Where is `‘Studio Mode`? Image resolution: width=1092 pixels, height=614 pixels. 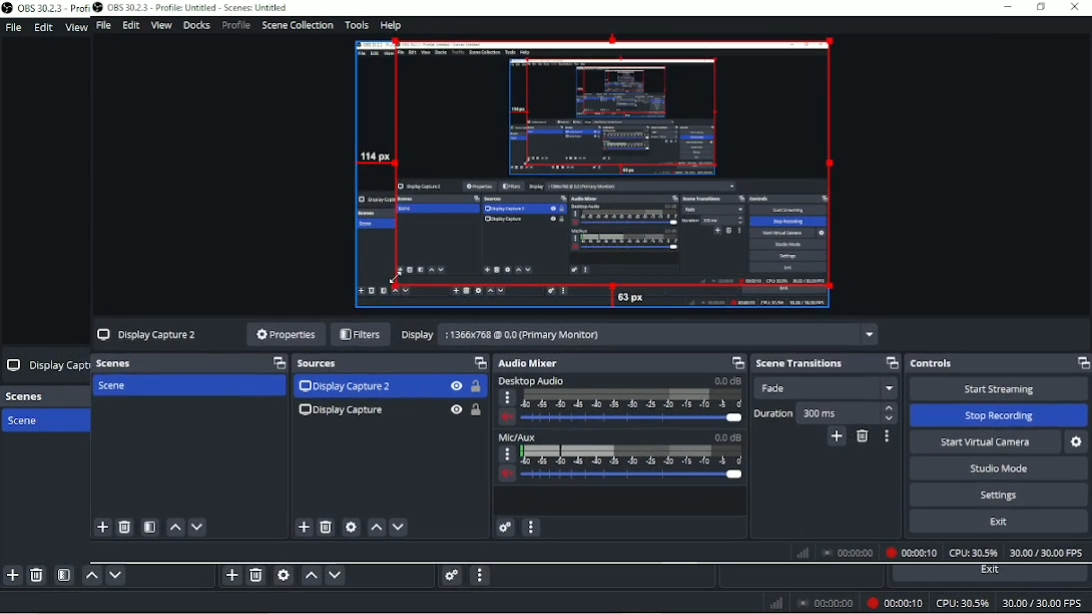 ‘Studio Mode is located at coordinates (997, 467).